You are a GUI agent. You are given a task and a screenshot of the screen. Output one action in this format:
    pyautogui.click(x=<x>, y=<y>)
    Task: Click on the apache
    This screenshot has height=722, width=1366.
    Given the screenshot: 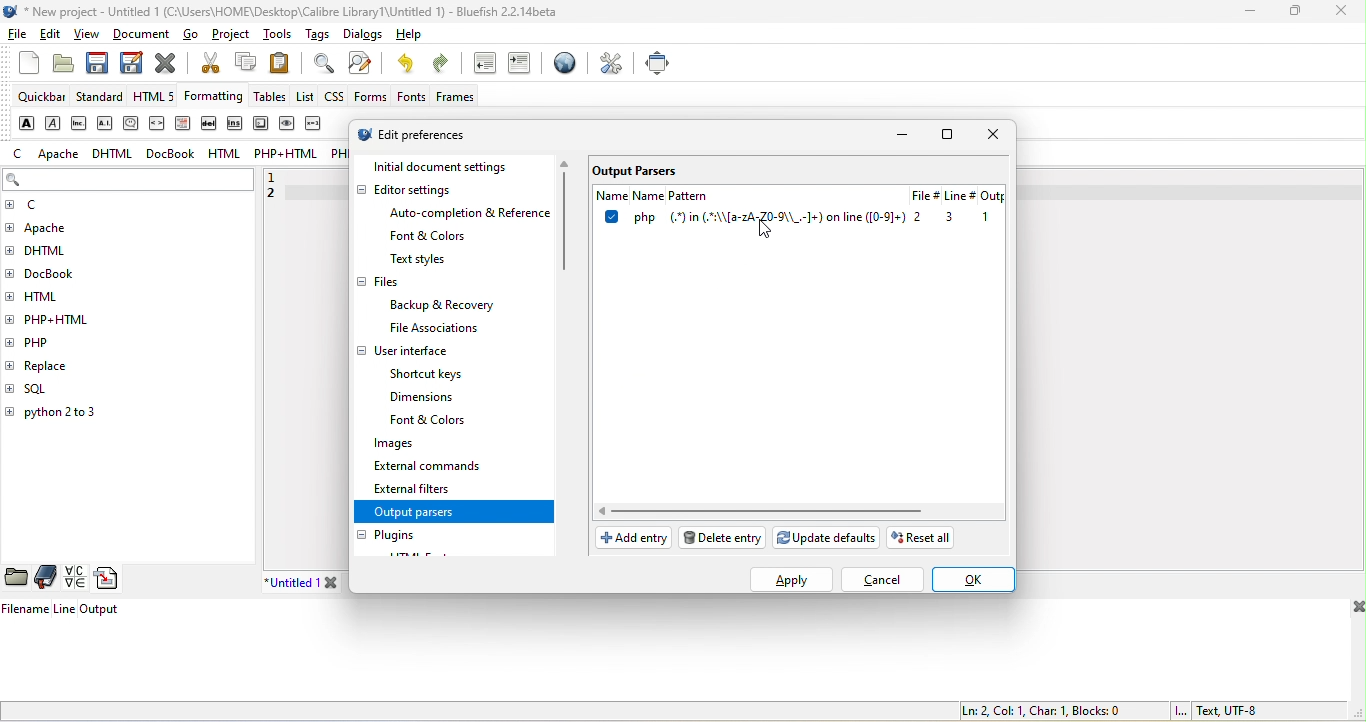 What is the action you would take?
    pyautogui.click(x=62, y=228)
    